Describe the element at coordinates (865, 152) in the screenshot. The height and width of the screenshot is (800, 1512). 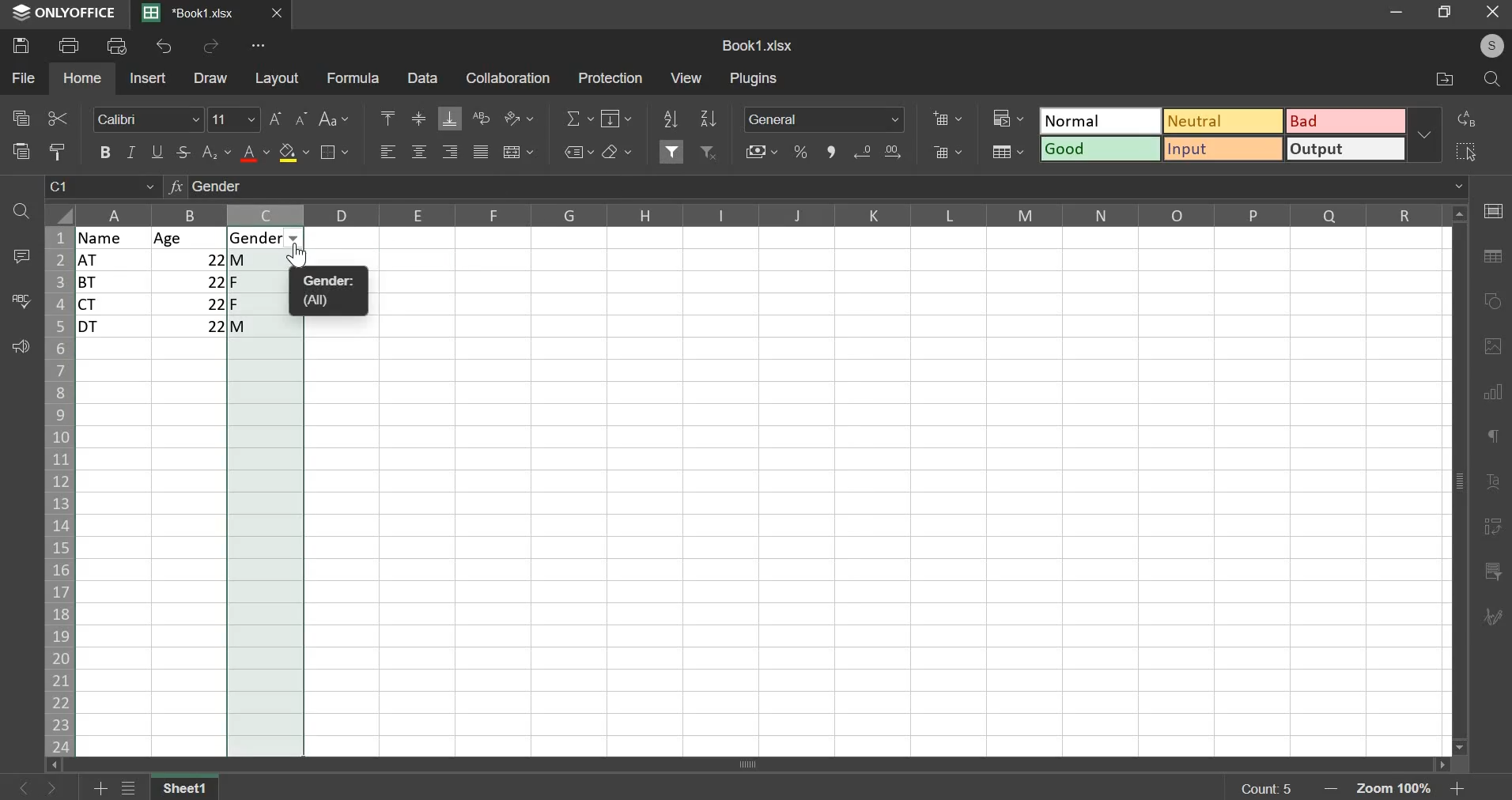
I see `decrease decimal` at that location.